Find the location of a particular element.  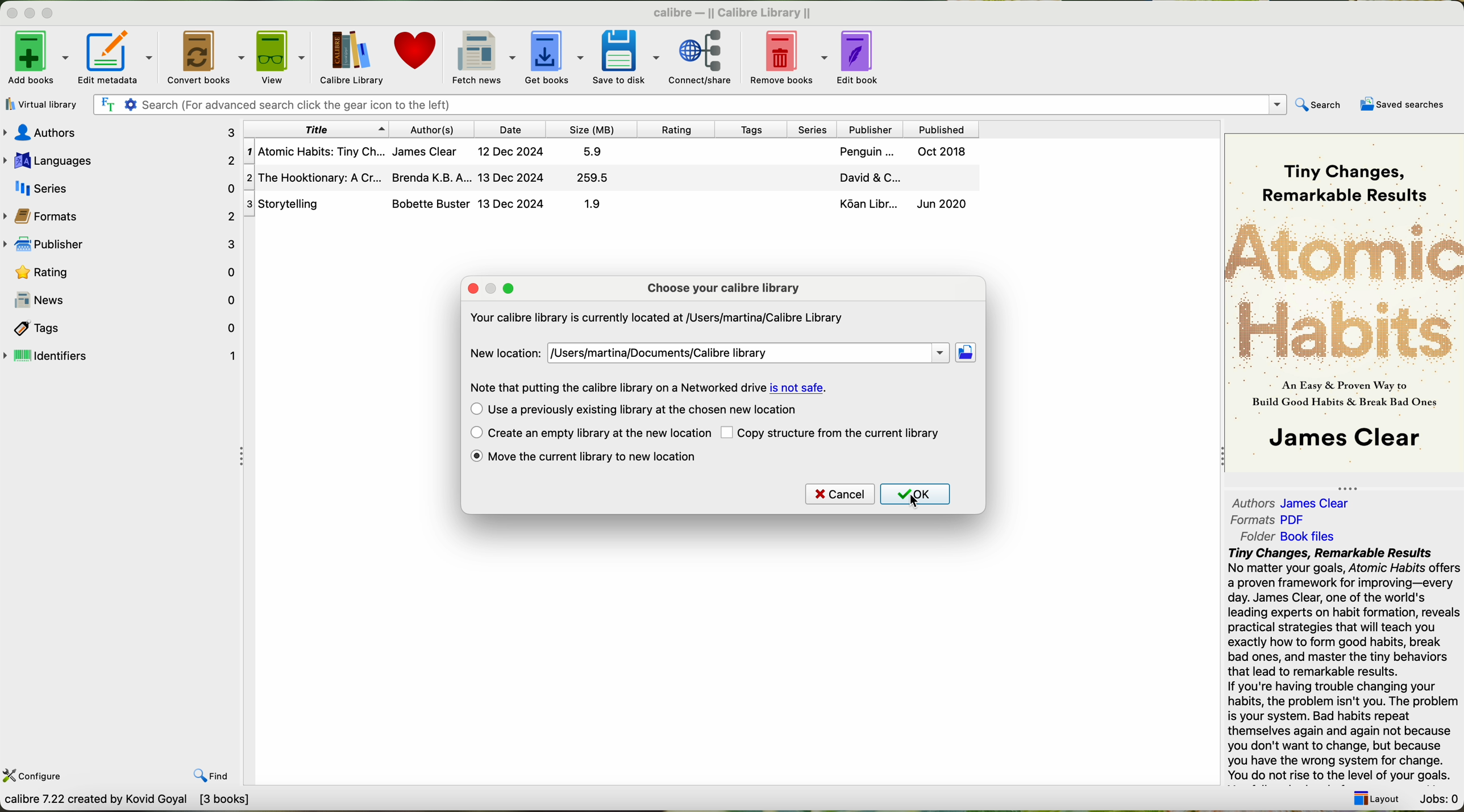

add books is located at coordinates (36, 56).